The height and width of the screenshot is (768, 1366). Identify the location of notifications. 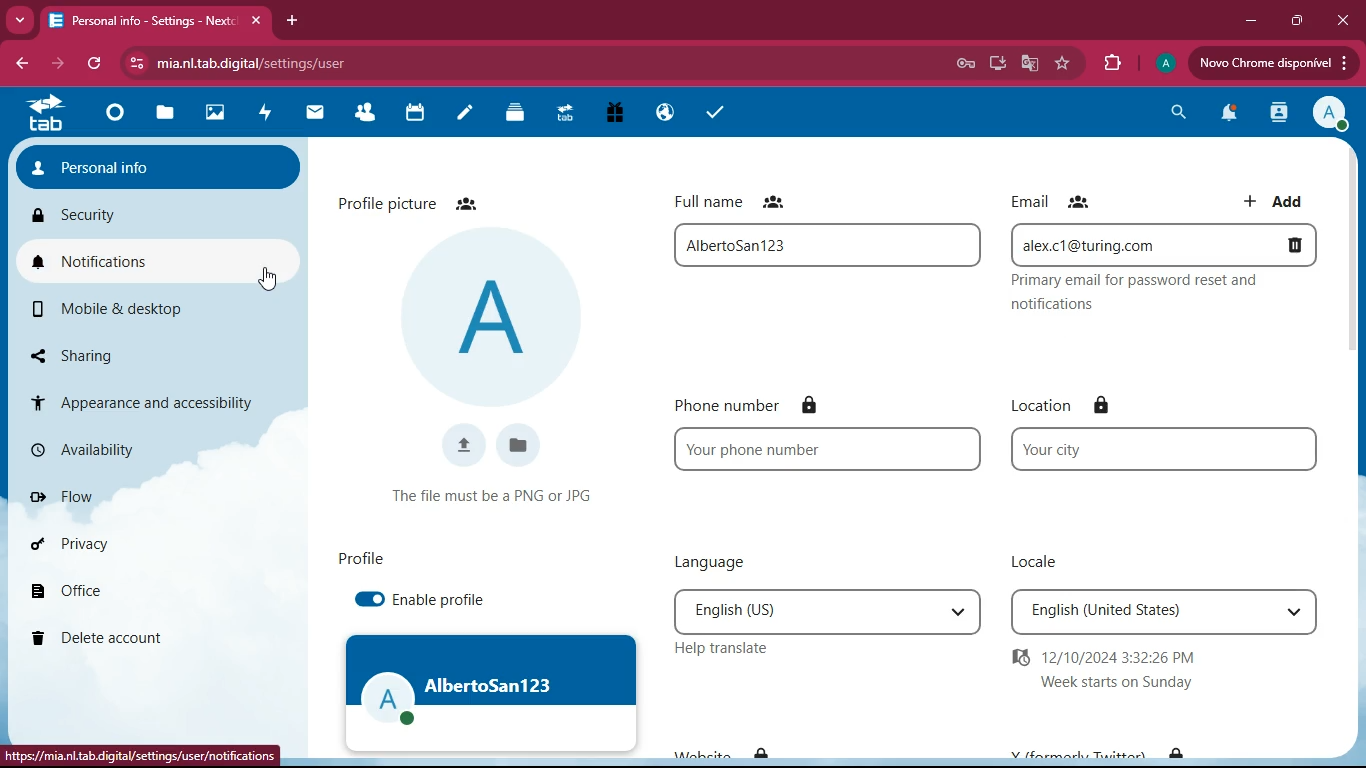
(1225, 115).